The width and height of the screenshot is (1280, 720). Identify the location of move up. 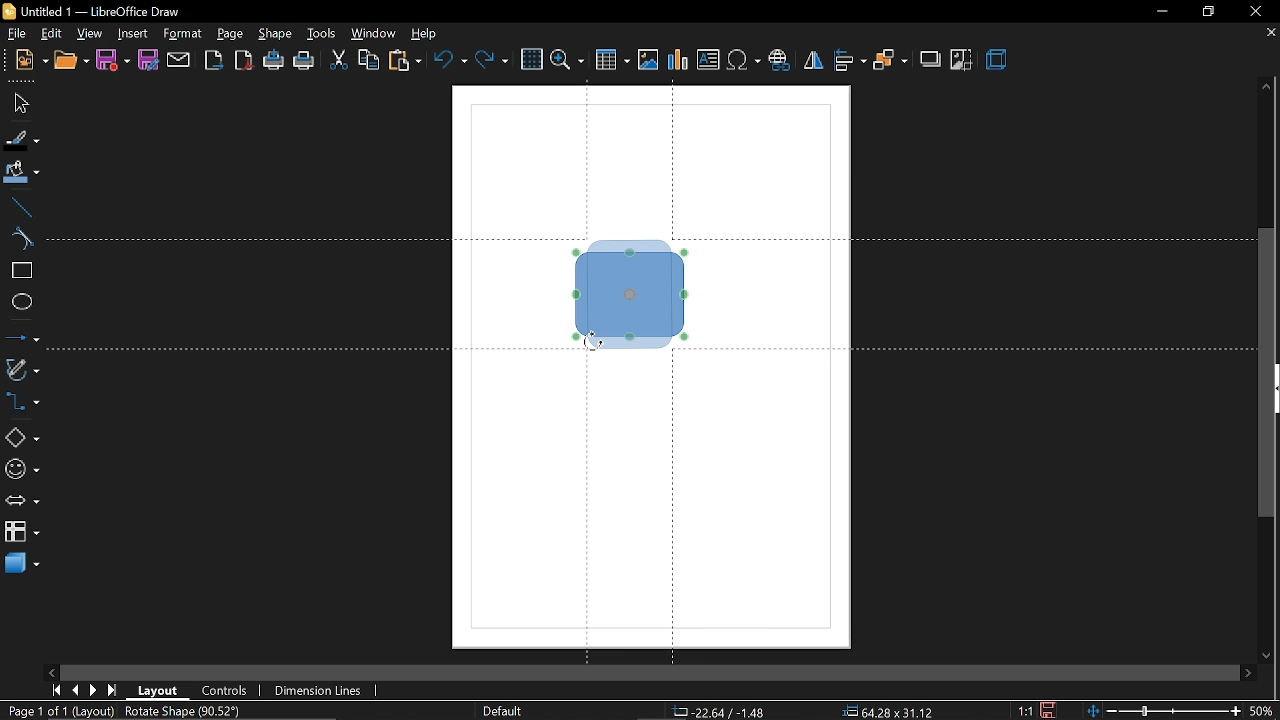
(1268, 87).